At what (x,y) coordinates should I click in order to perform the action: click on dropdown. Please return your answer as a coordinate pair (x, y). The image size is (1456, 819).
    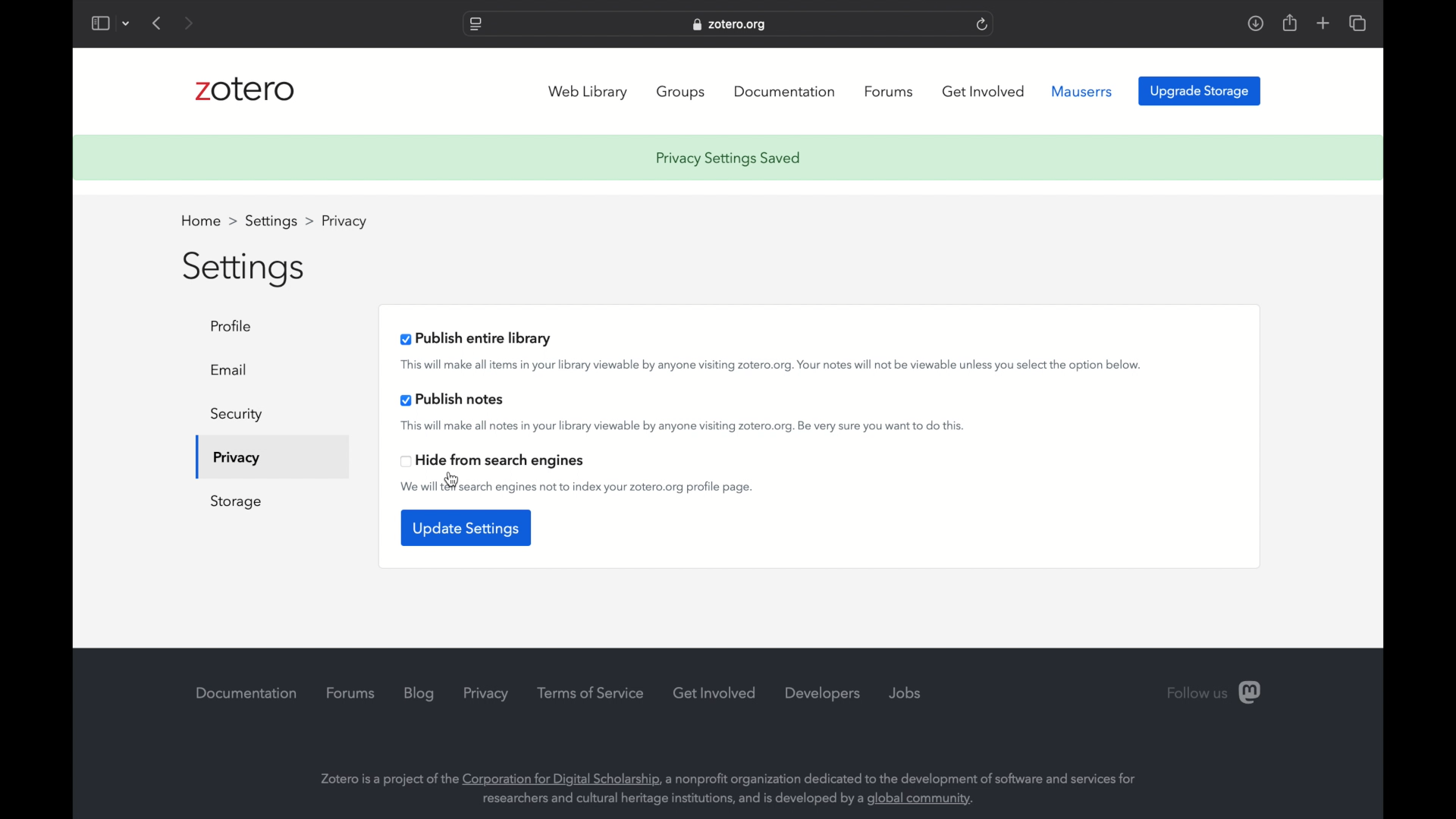
    Looking at the image, I should click on (128, 23).